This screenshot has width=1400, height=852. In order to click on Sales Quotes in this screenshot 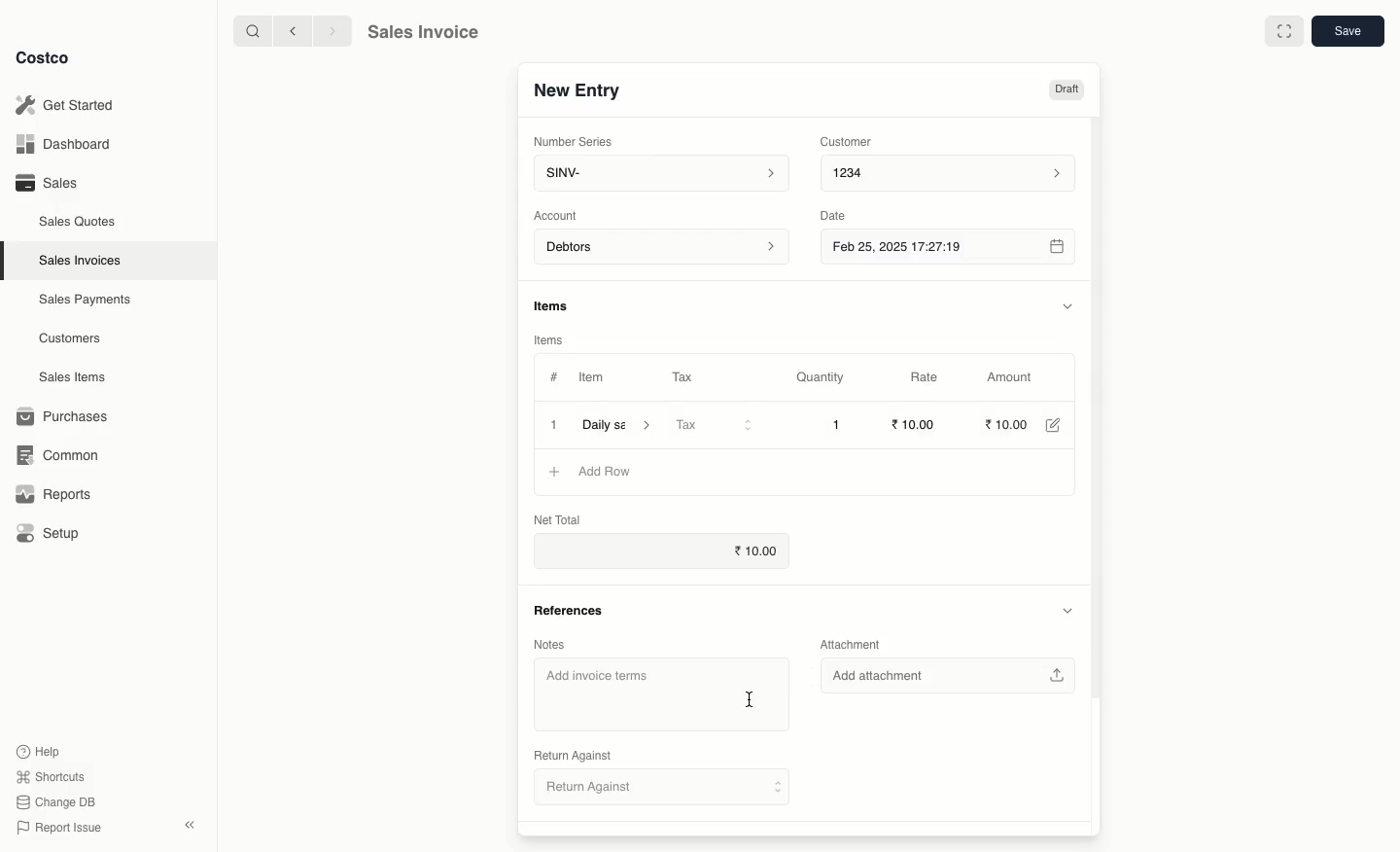, I will do `click(75, 223)`.